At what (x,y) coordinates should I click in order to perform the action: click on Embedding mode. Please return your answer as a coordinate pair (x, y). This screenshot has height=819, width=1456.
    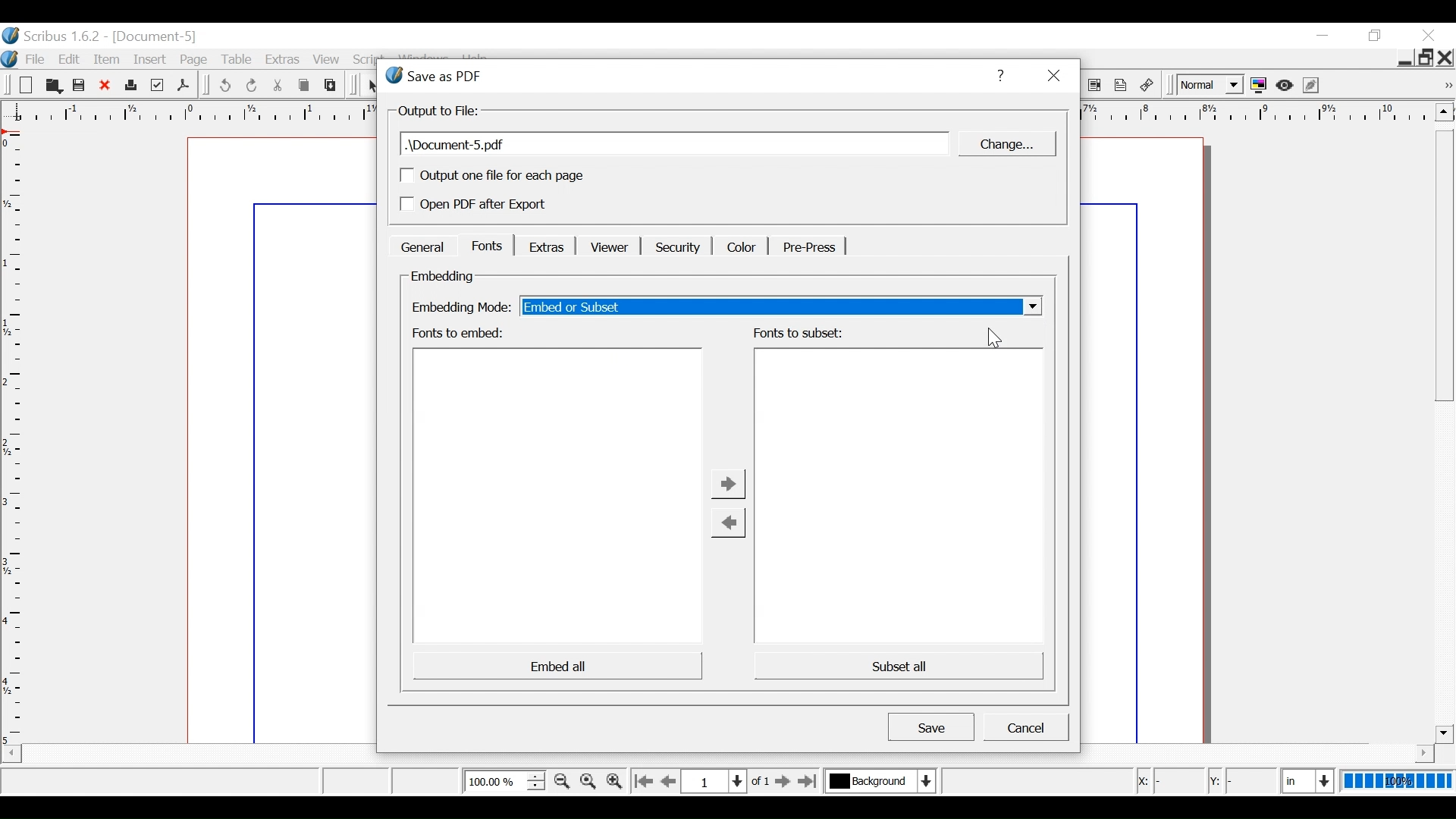
    Looking at the image, I should click on (459, 308).